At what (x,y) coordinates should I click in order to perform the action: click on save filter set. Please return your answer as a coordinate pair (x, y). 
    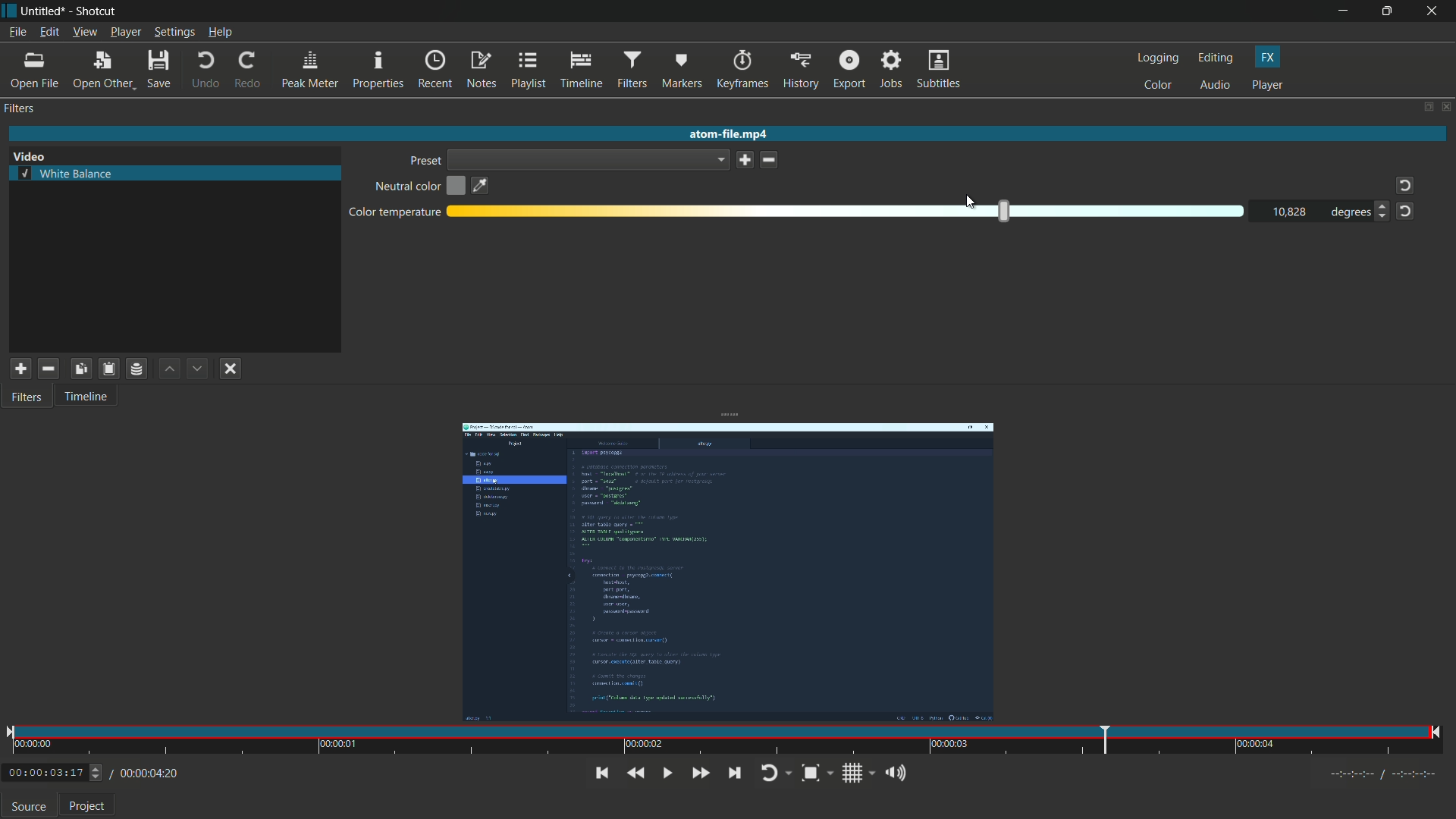
    Looking at the image, I should click on (137, 369).